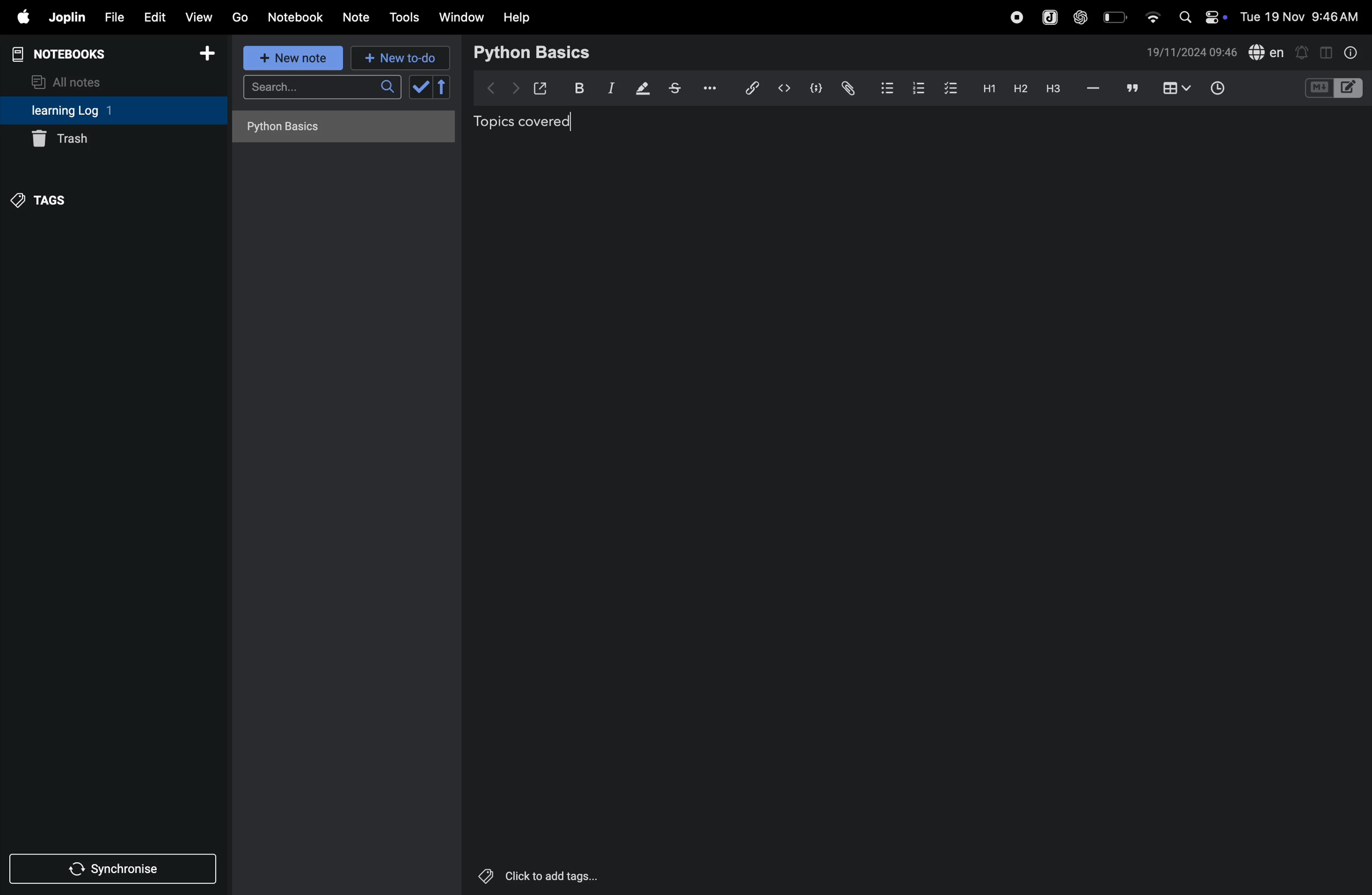 This screenshot has width=1372, height=895. I want to click on new to do, so click(395, 55).